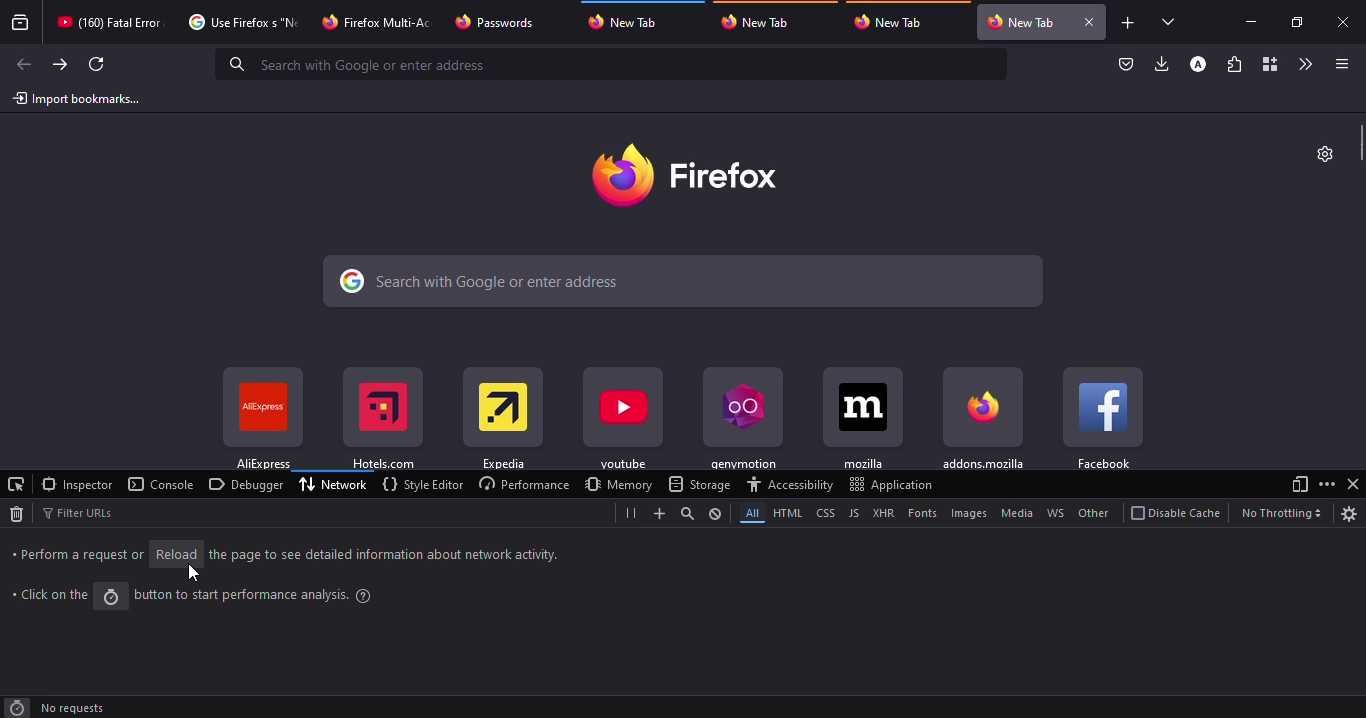 This screenshot has height=718, width=1366. I want to click on view recent browsing history, so click(21, 23).